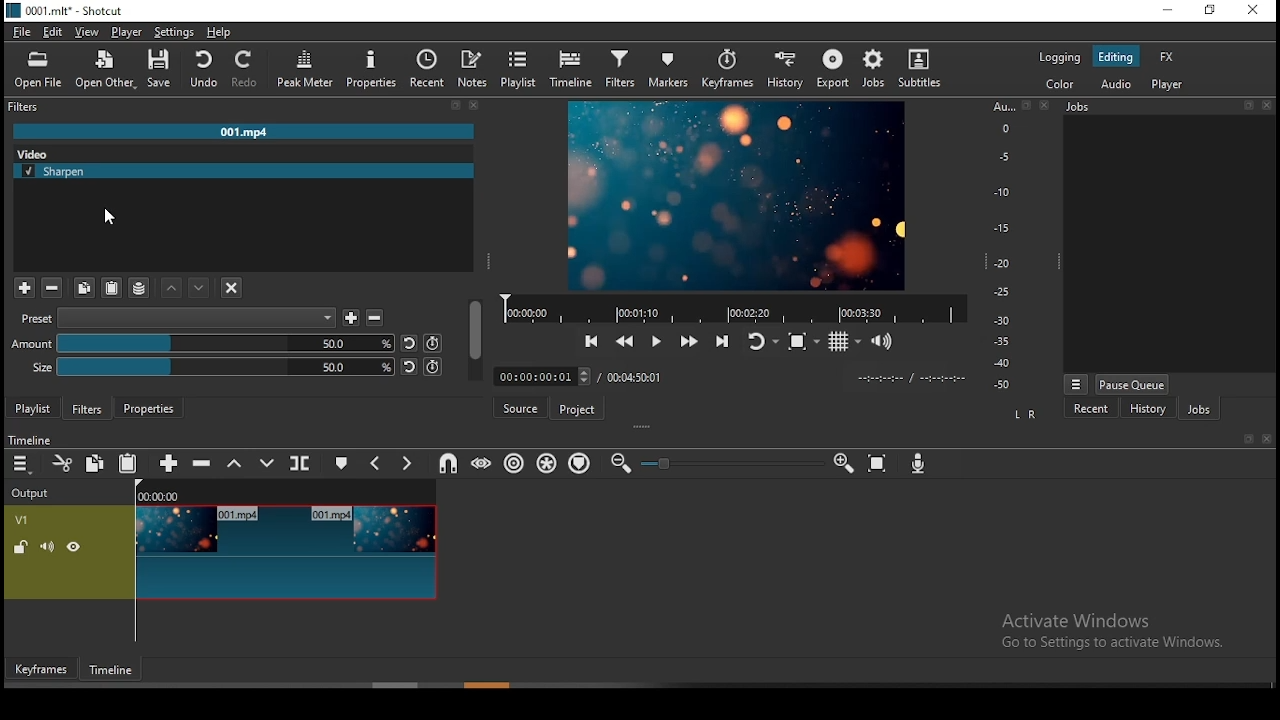 The height and width of the screenshot is (720, 1280). What do you see at coordinates (173, 33) in the screenshot?
I see `settings` at bounding box center [173, 33].